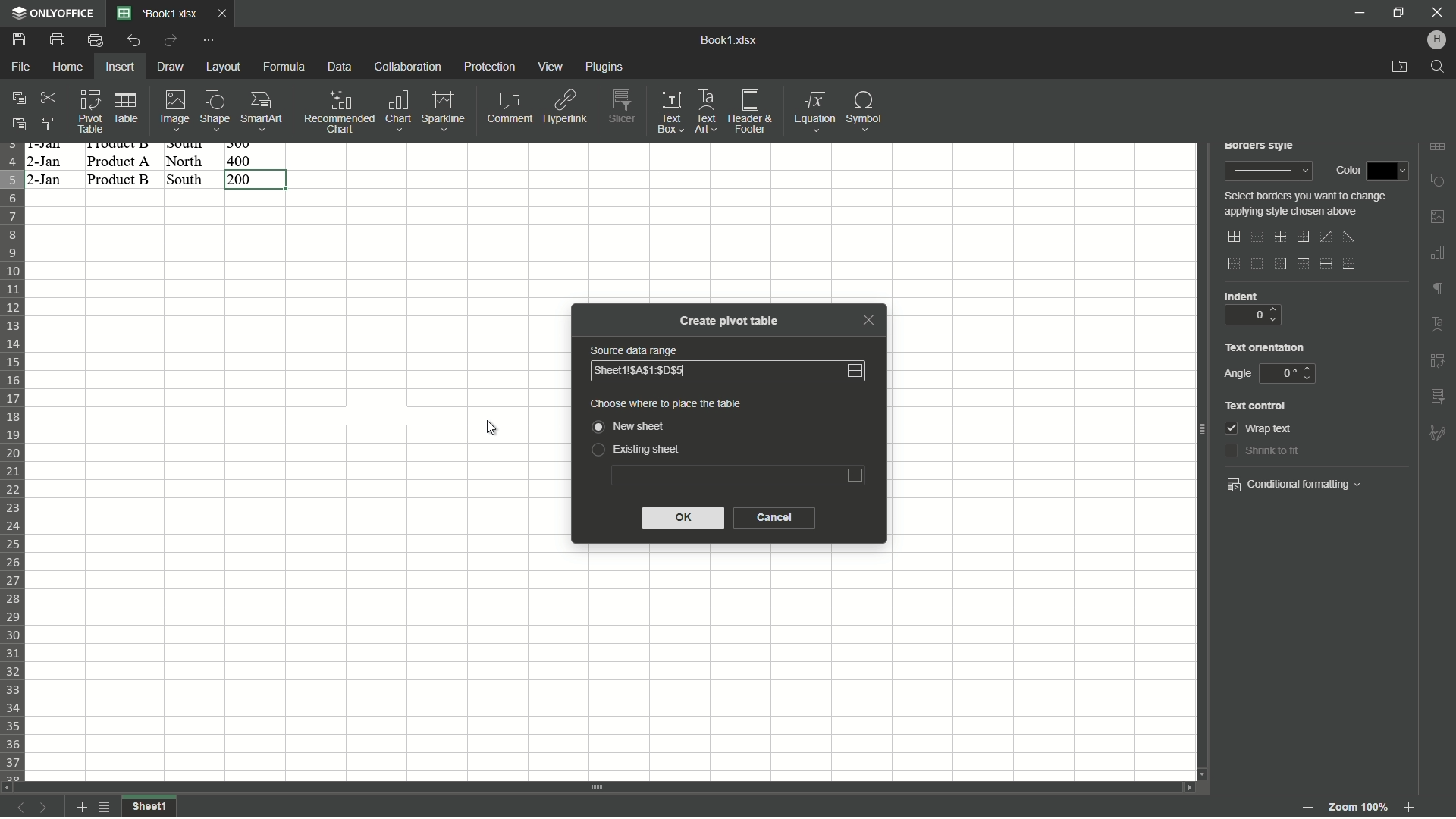 The width and height of the screenshot is (1456, 819). I want to click on cells, so click(1043, 425).